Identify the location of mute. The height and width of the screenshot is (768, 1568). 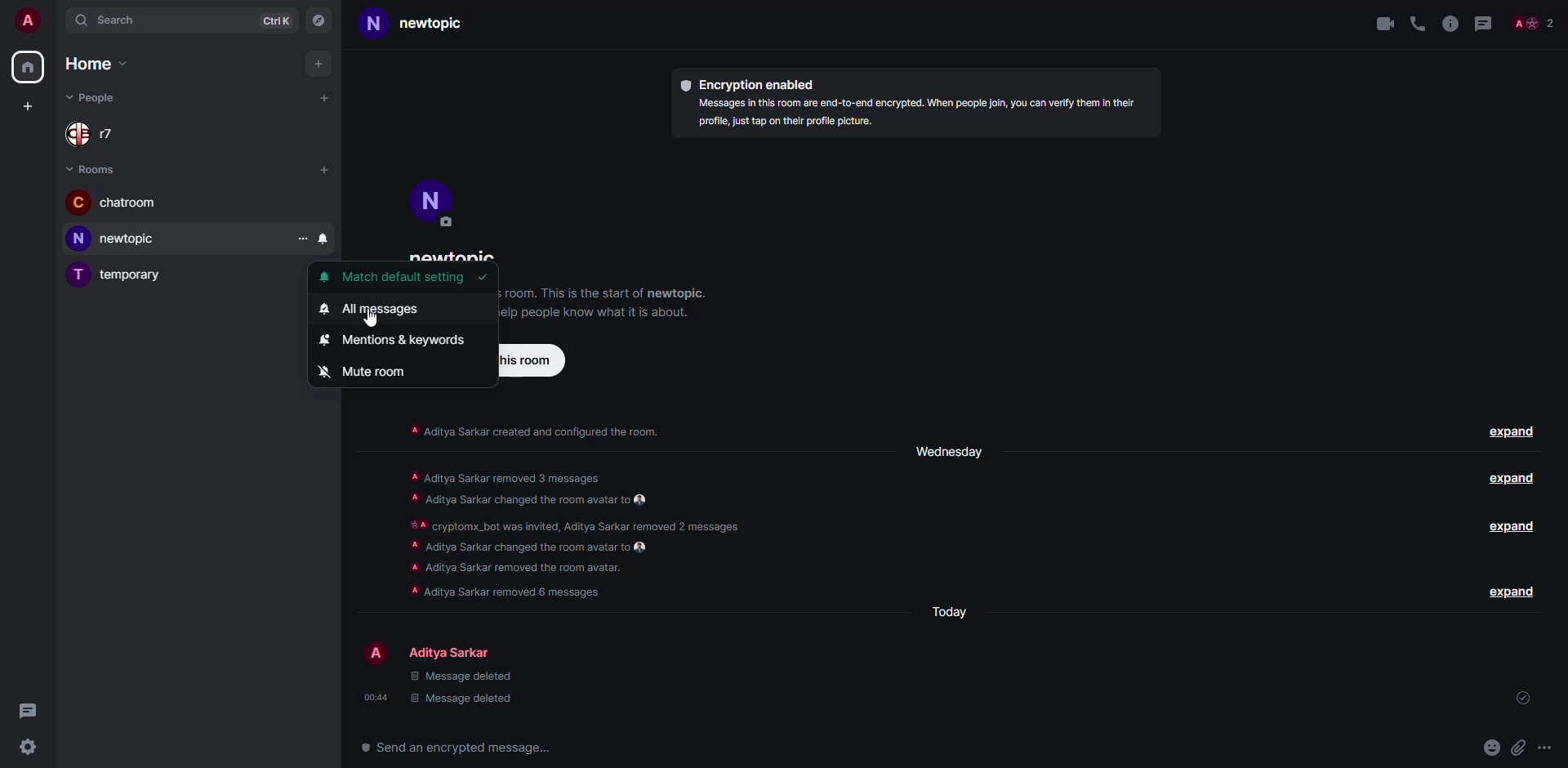
(369, 371).